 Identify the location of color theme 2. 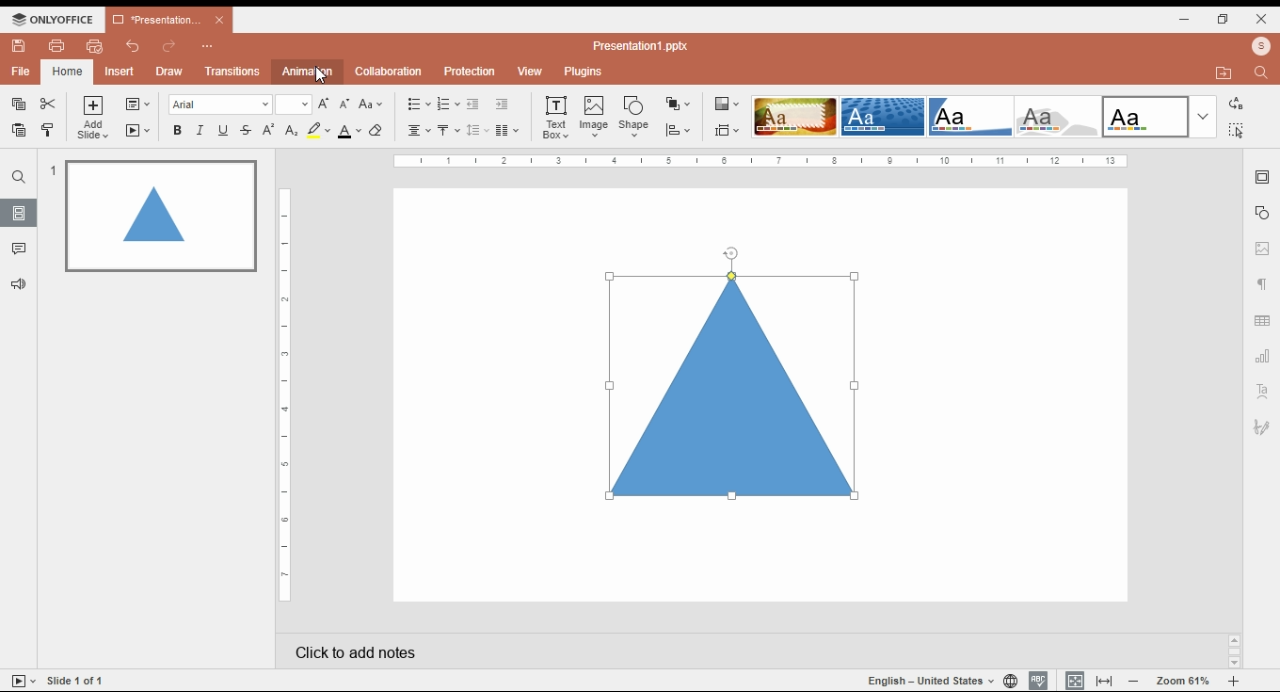
(882, 116).